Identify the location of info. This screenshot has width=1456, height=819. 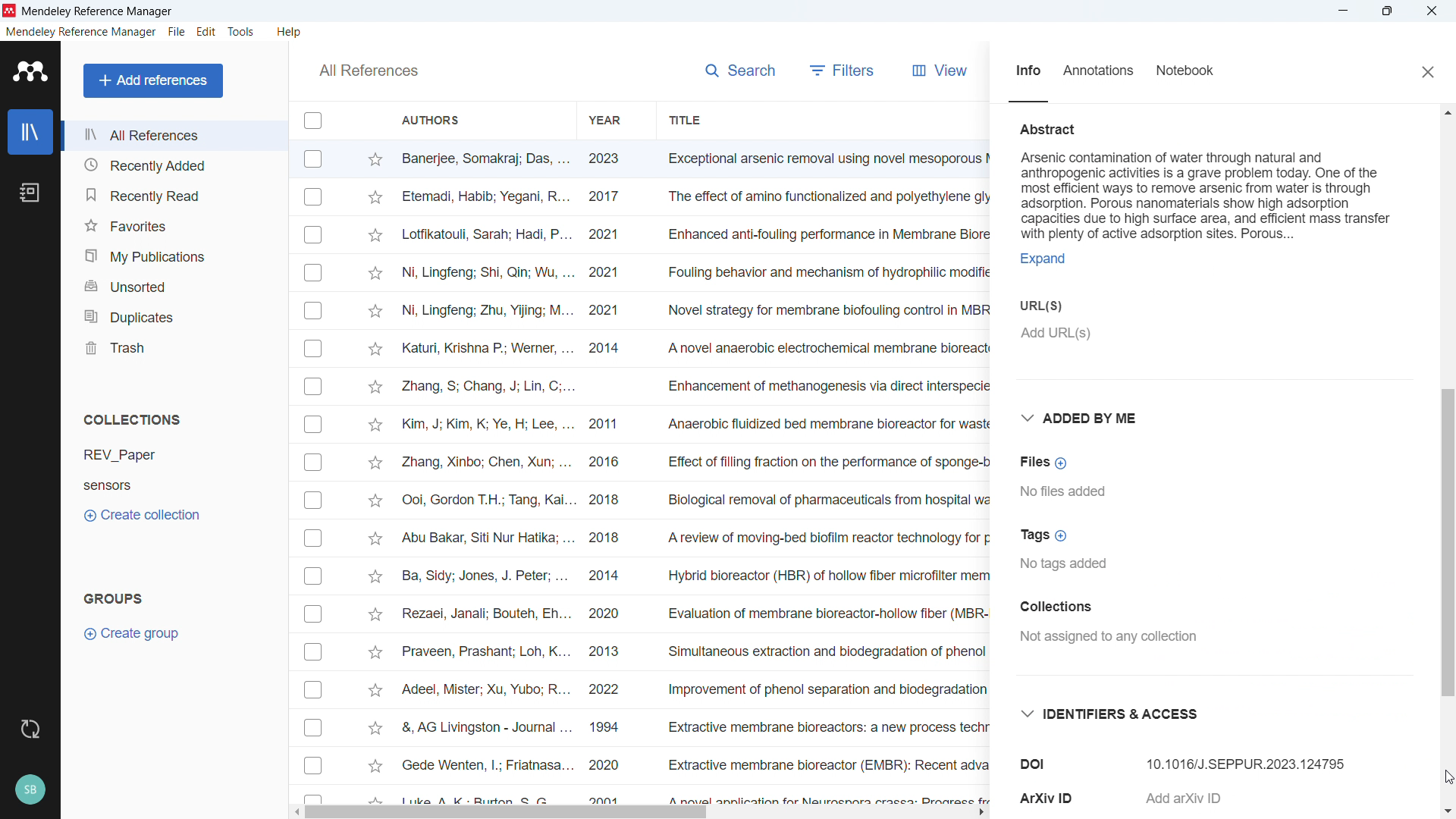
(1025, 74).